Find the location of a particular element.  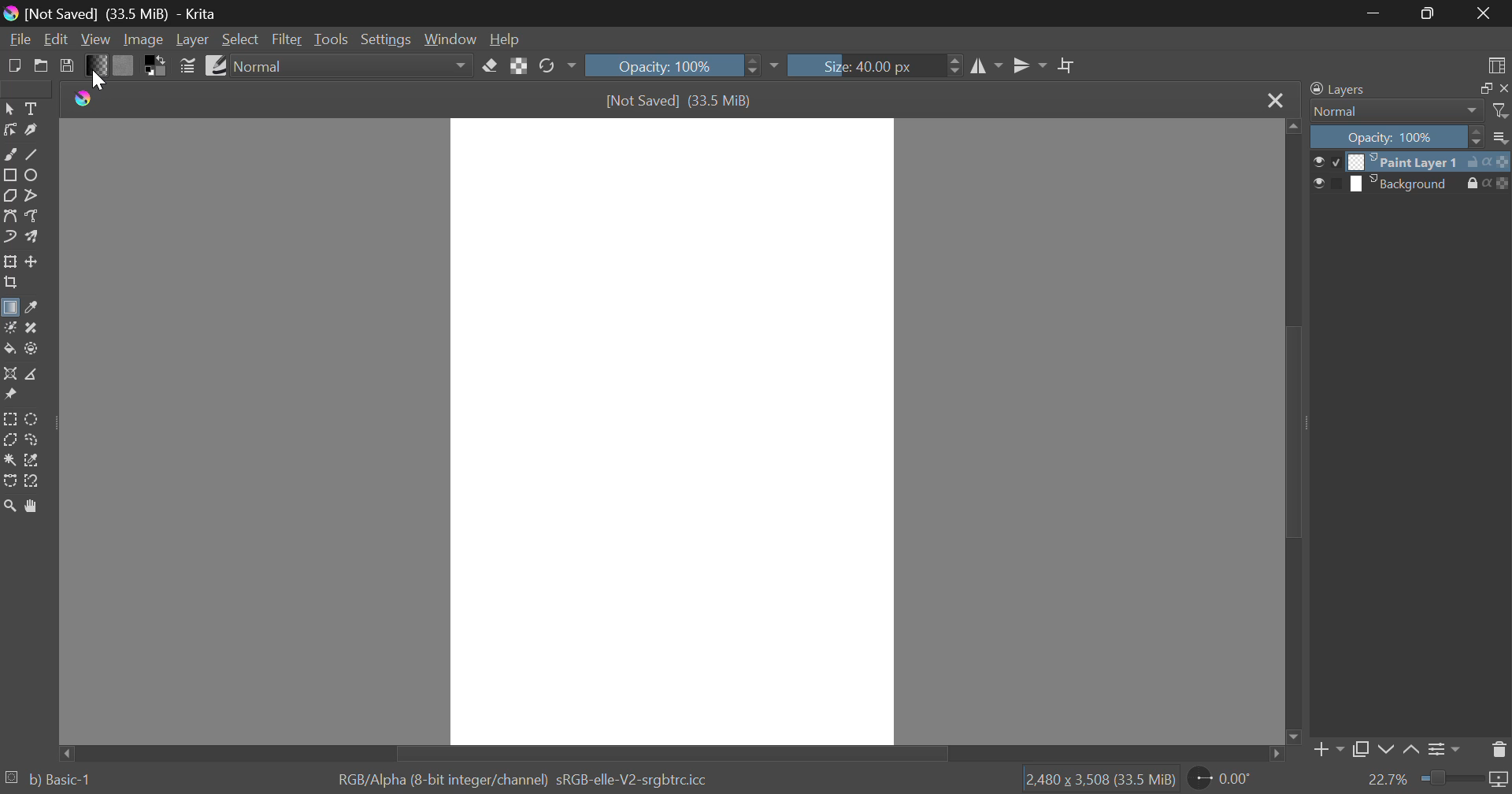

Smart Patch Tool is located at coordinates (32, 329).